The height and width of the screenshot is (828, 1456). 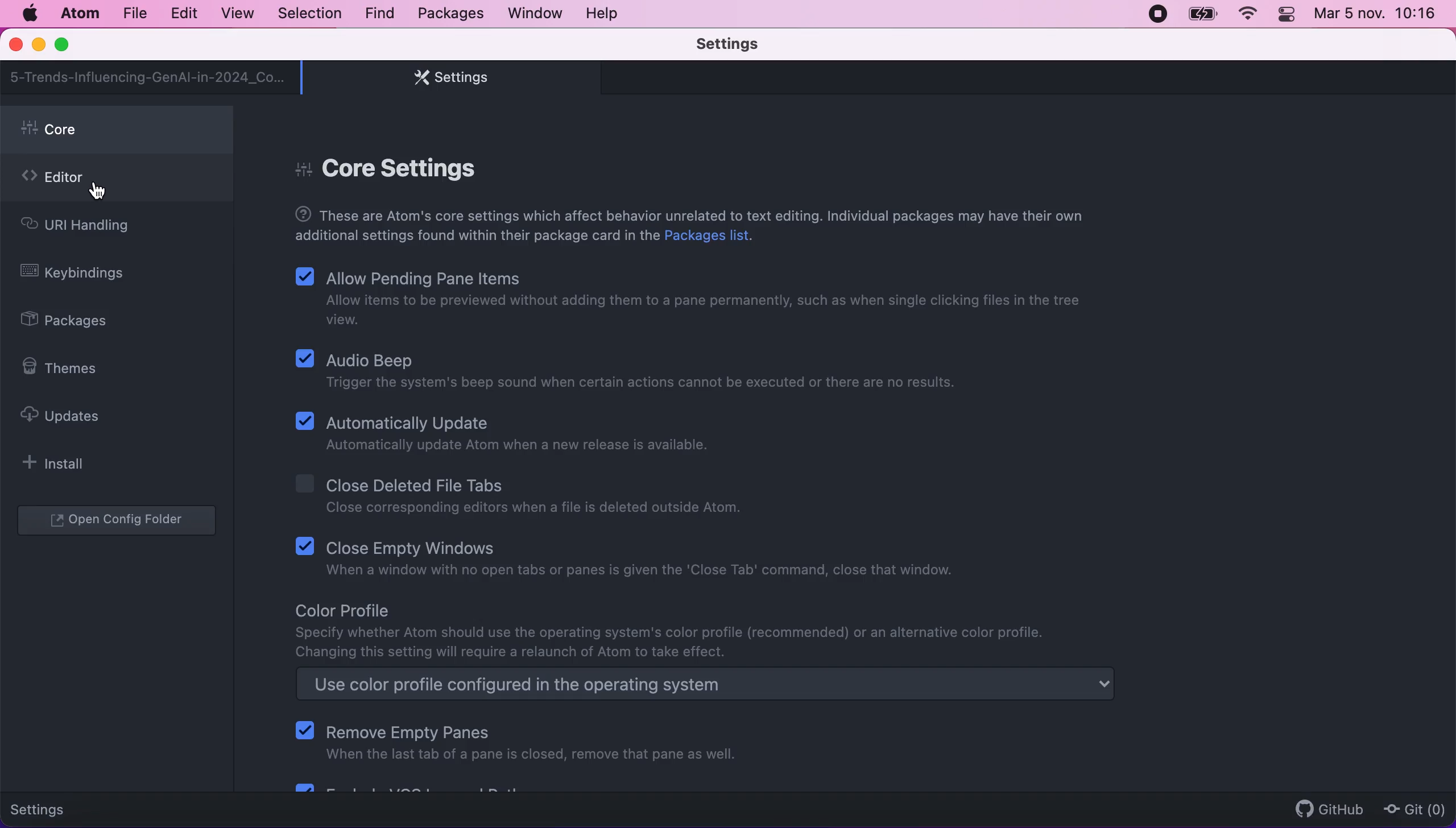 I want to click on keybindings, so click(x=81, y=275).